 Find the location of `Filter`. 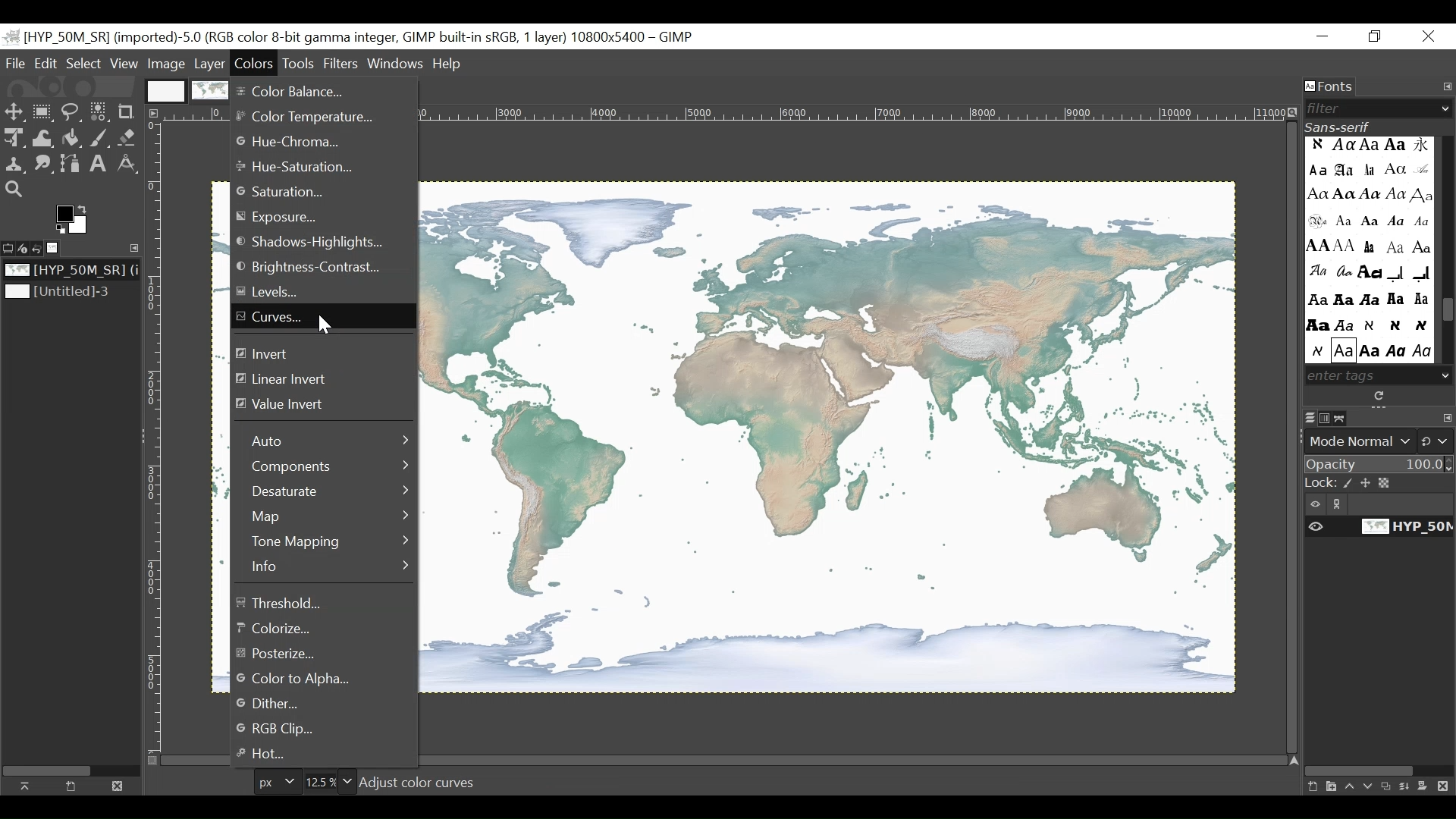

Filter is located at coordinates (1373, 108).